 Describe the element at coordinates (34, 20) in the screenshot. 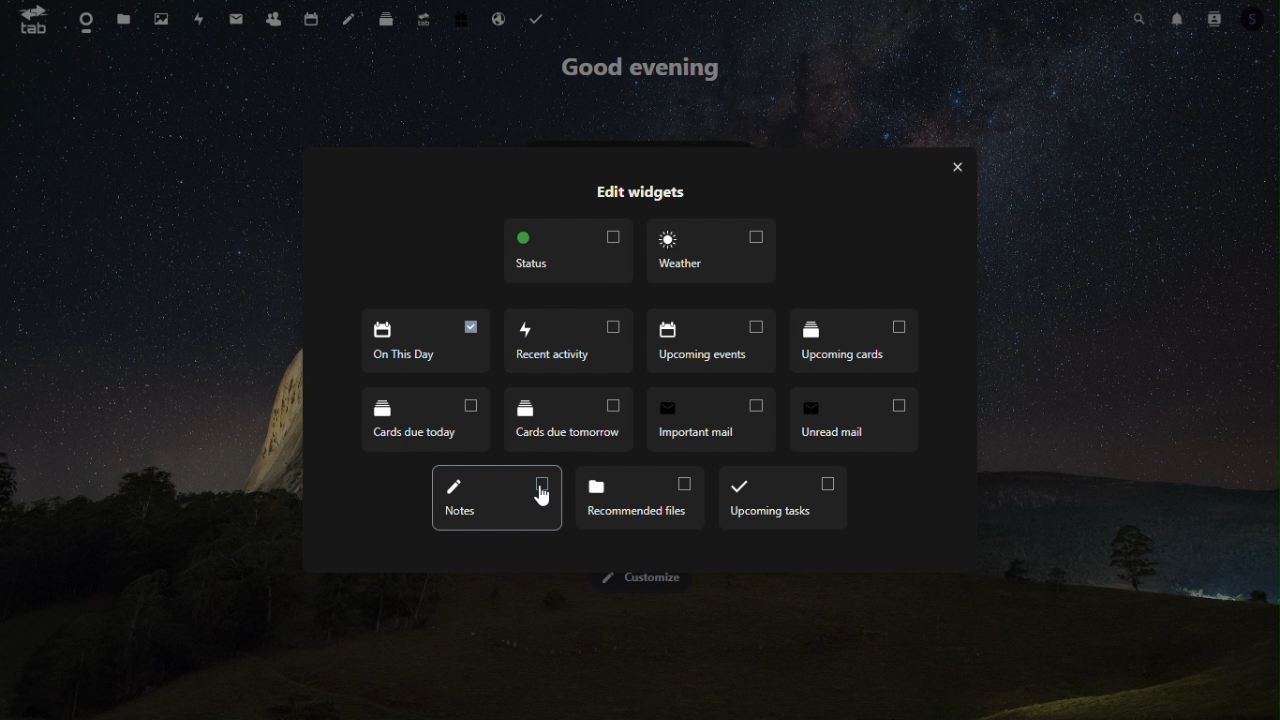

I see `tab` at that location.